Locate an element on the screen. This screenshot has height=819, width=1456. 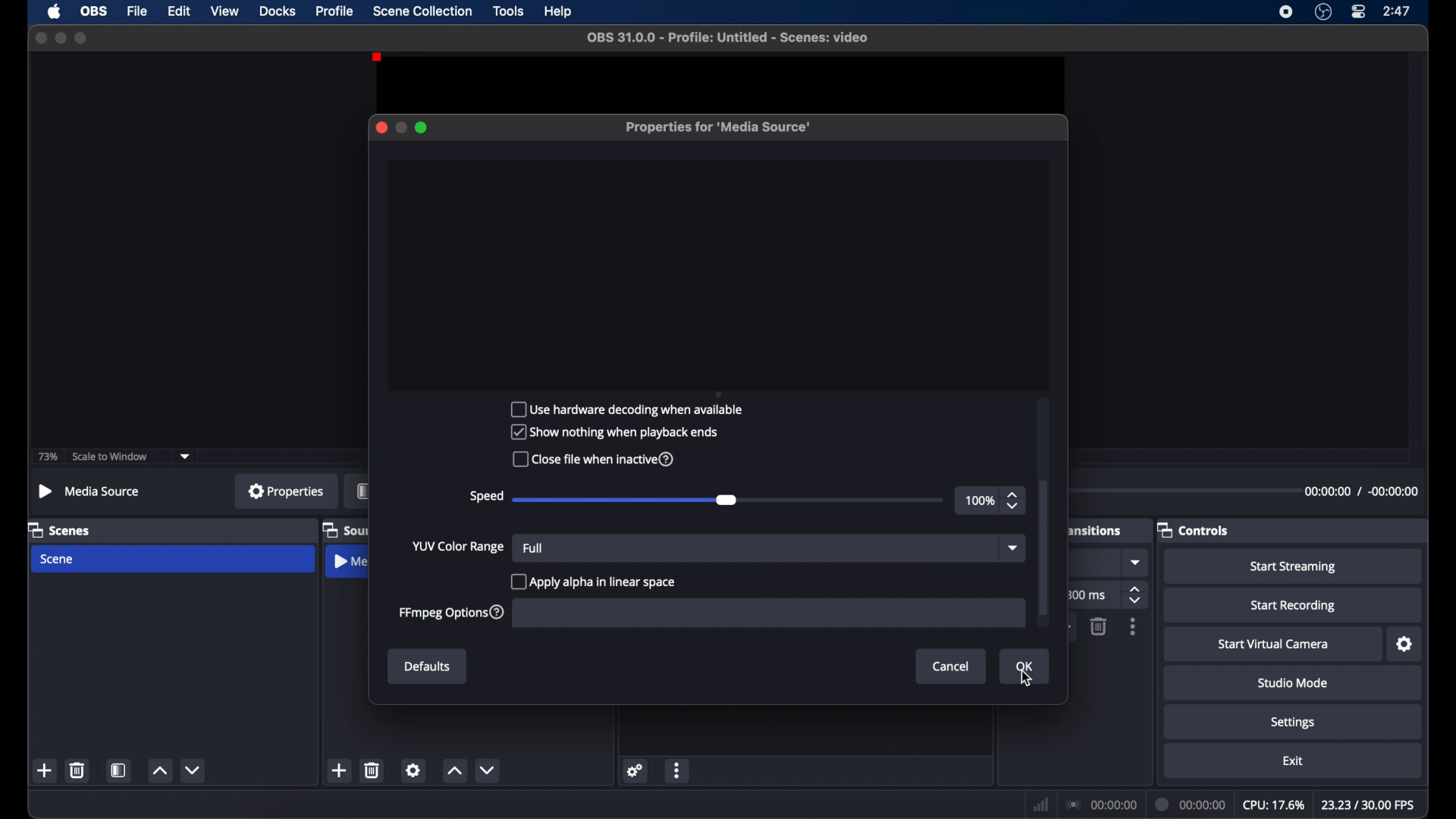
Ok is located at coordinates (1023, 667).